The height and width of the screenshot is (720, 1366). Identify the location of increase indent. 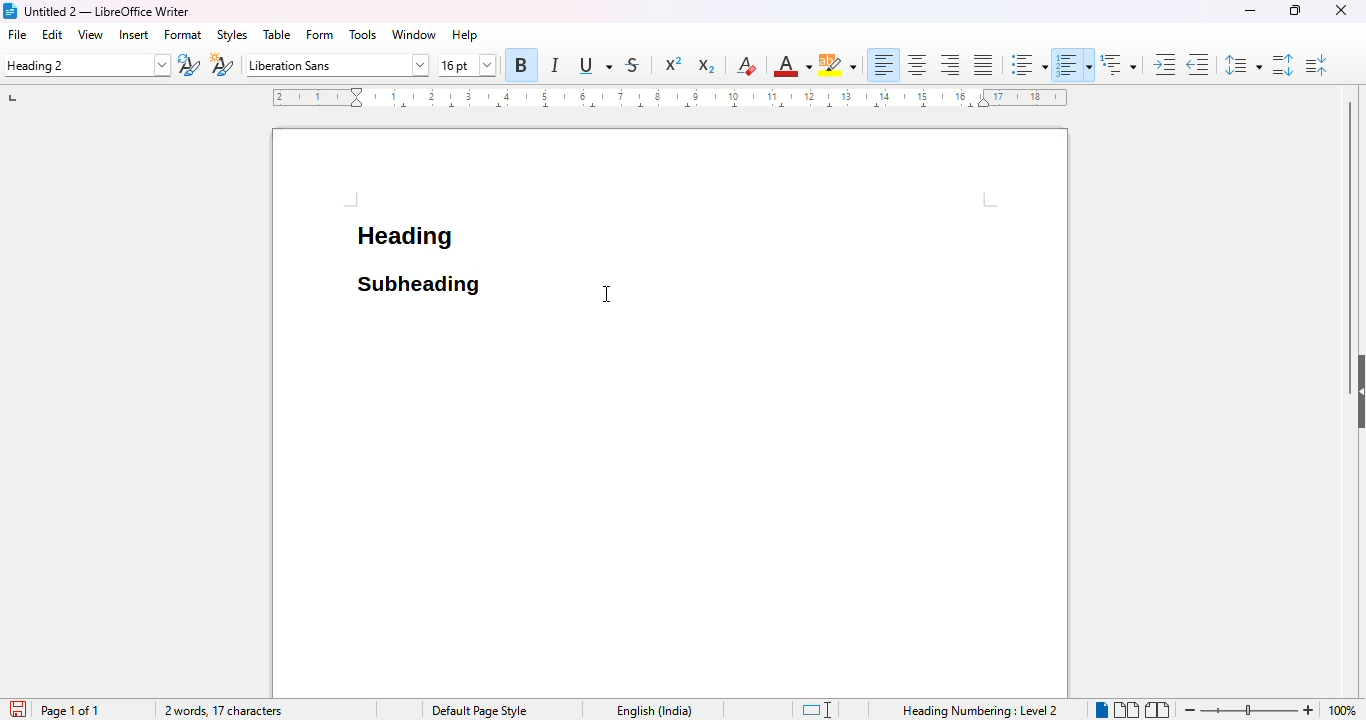
(1163, 64).